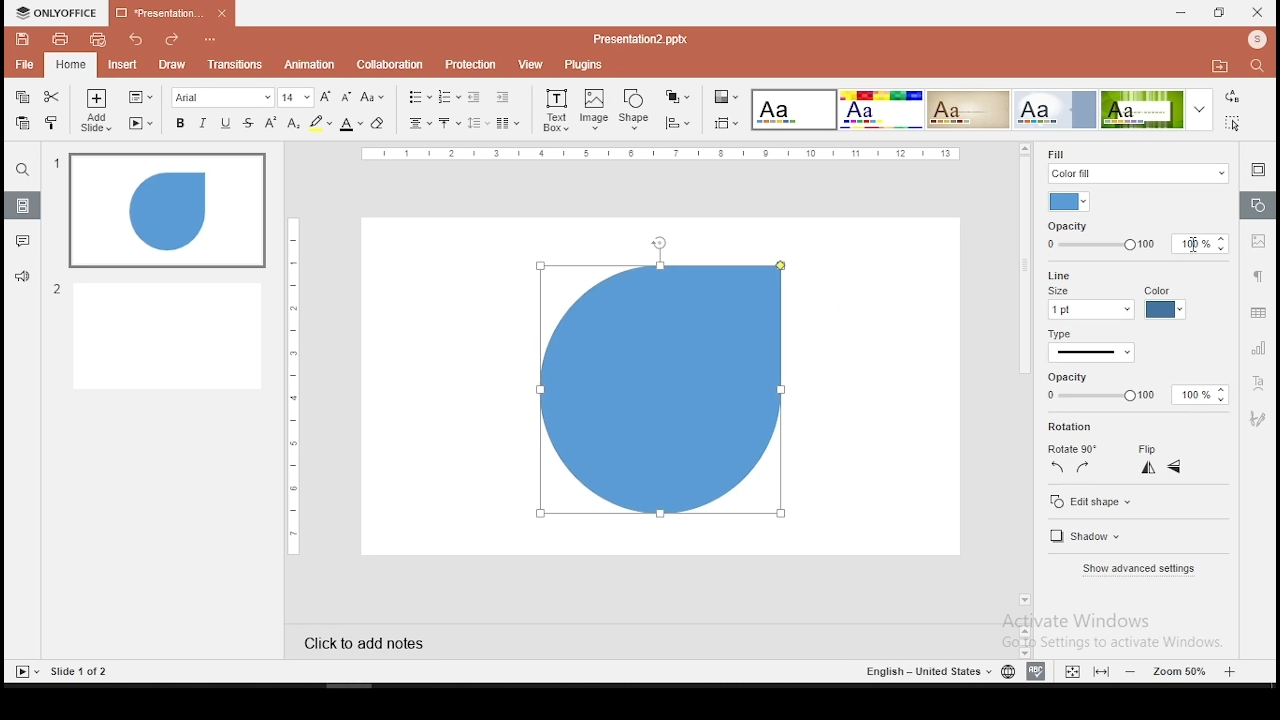 The image size is (1280, 720). What do you see at coordinates (1255, 39) in the screenshot?
I see `profile` at bounding box center [1255, 39].